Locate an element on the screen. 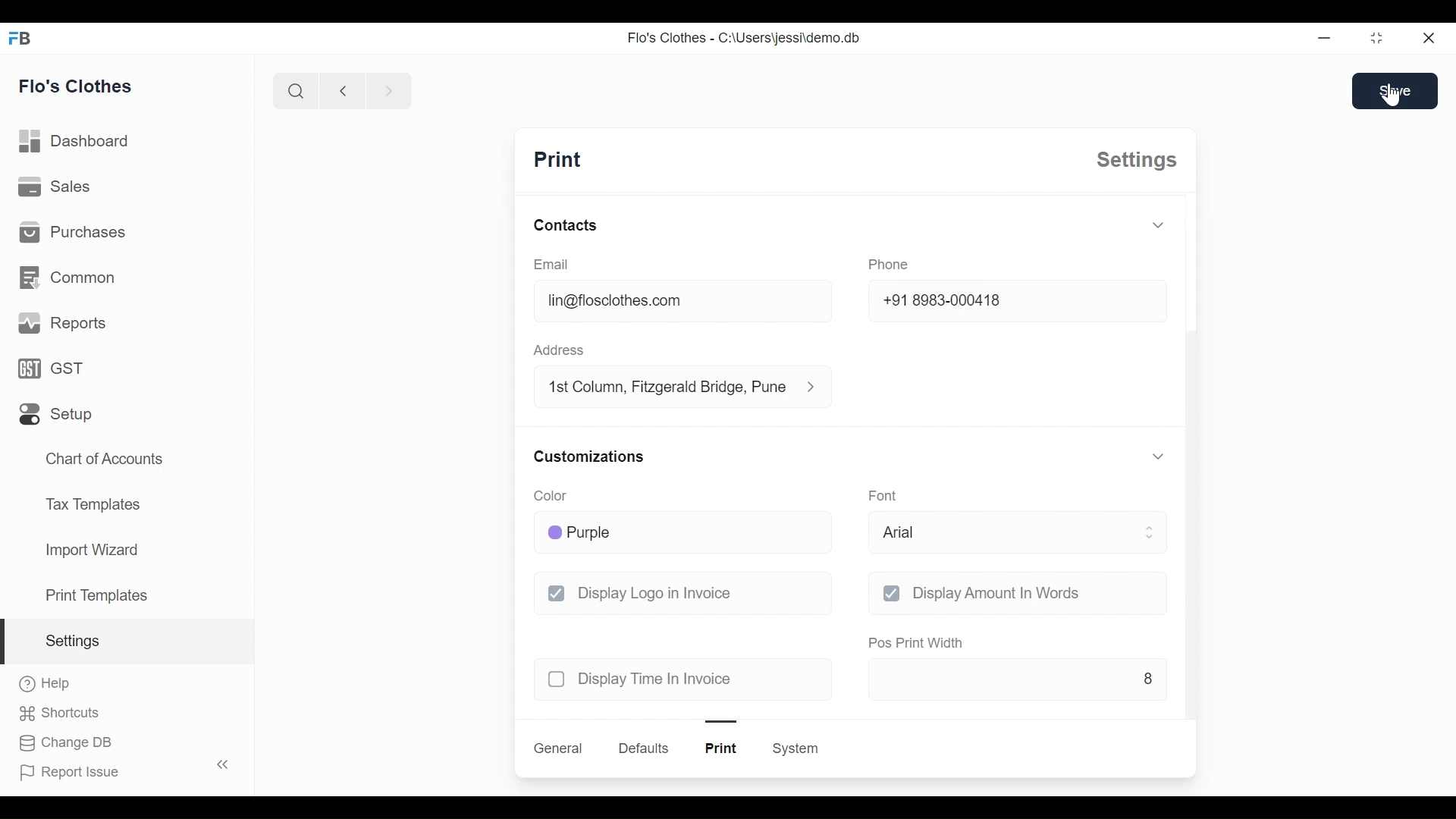 The height and width of the screenshot is (819, 1456). shortcuts is located at coordinates (59, 714).